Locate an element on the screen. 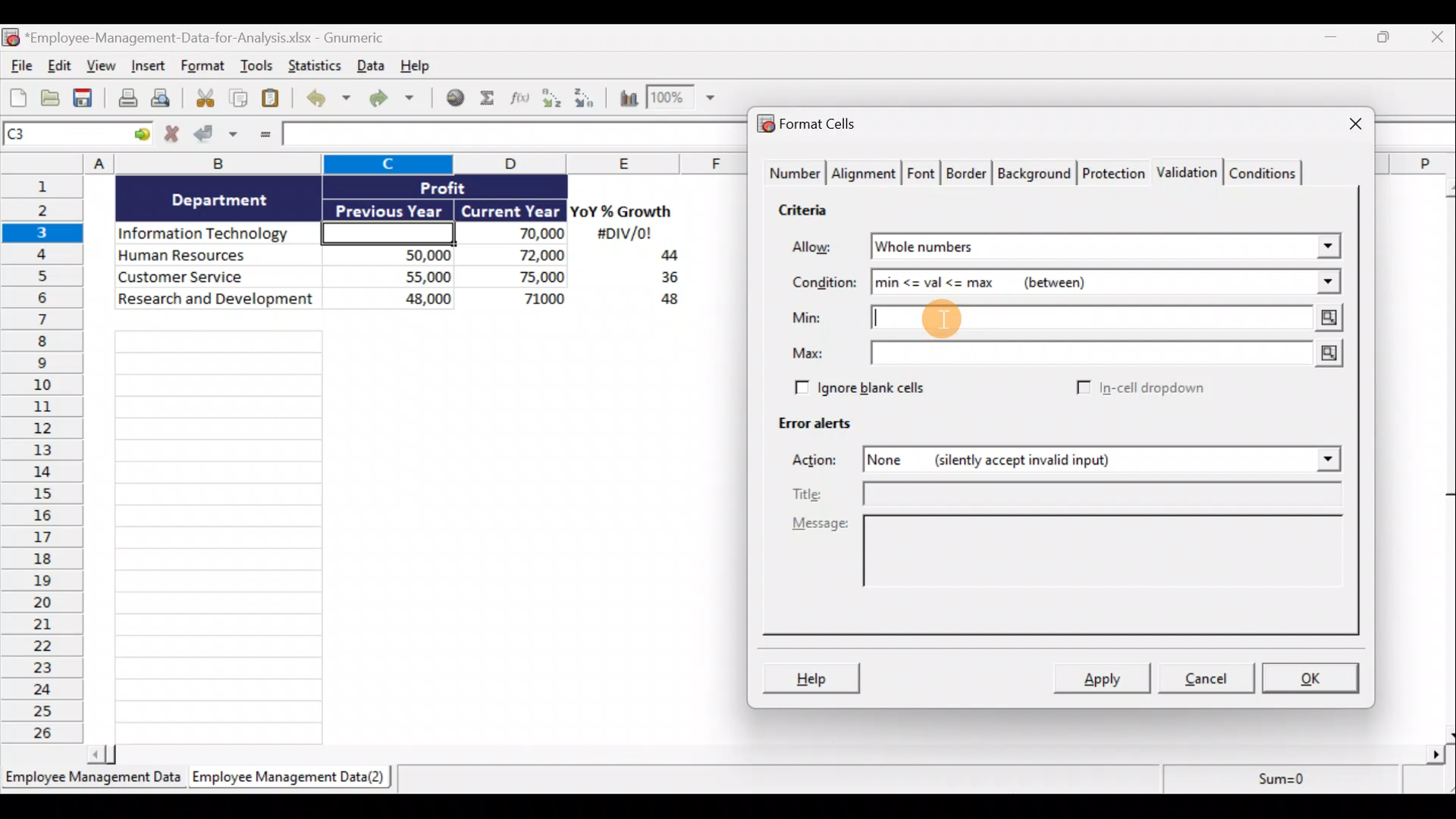 The width and height of the screenshot is (1456, 819). OK is located at coordinates (1312, 676).